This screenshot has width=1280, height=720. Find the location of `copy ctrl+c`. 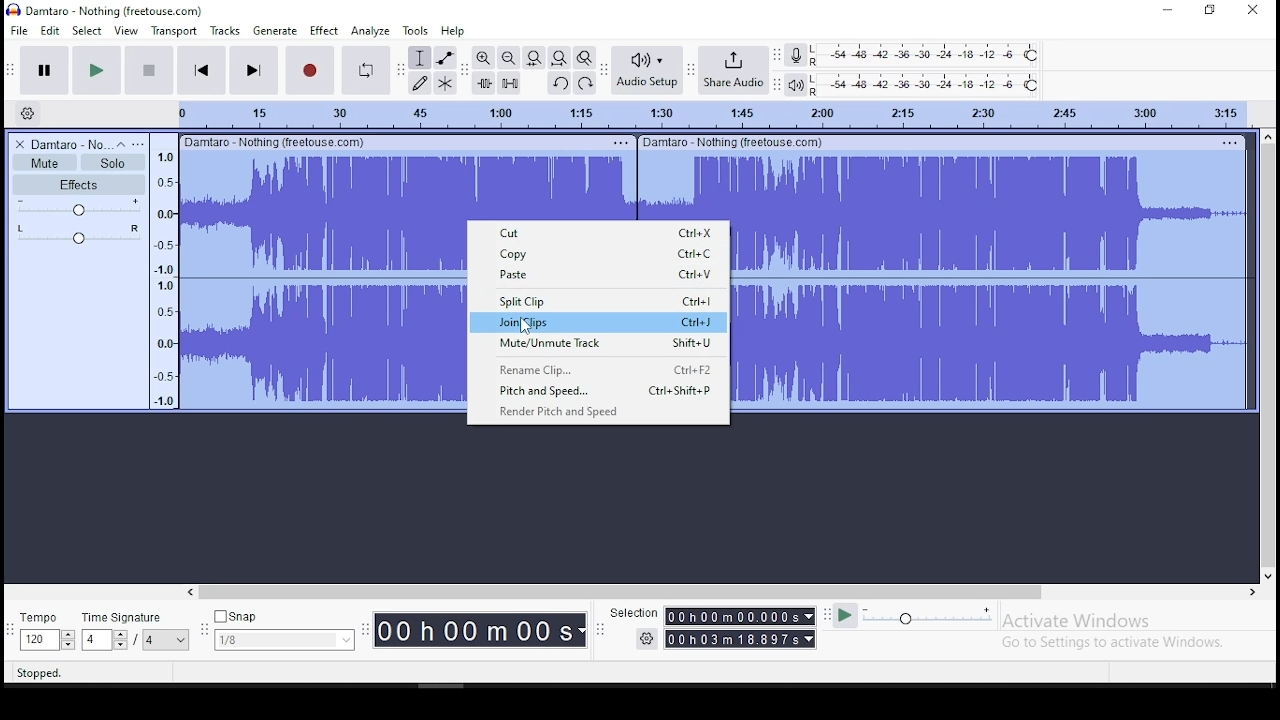

copy ctrl+c is located at coordinates (604, 254).